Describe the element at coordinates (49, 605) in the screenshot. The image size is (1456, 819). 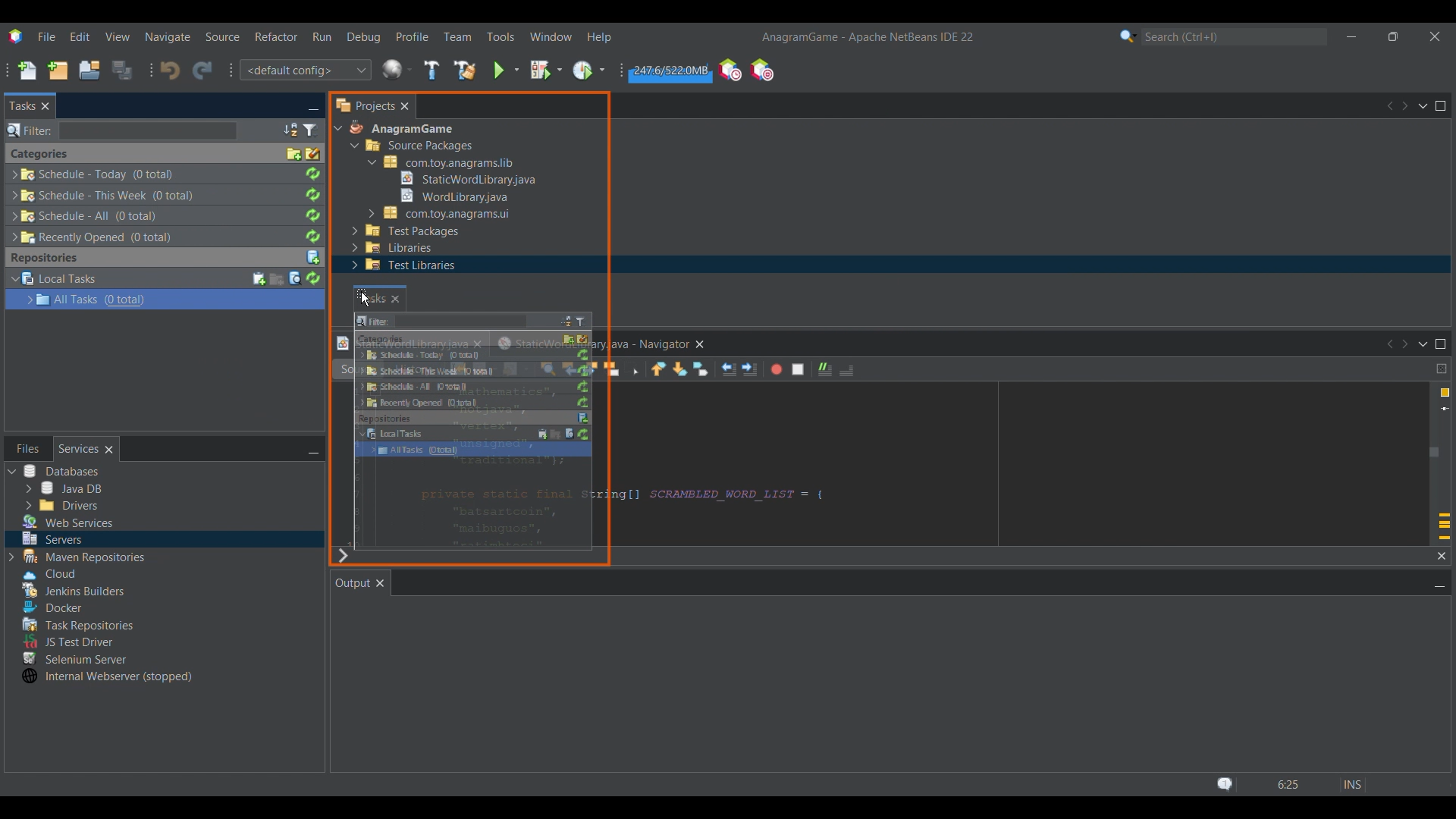
I see `` at that location.